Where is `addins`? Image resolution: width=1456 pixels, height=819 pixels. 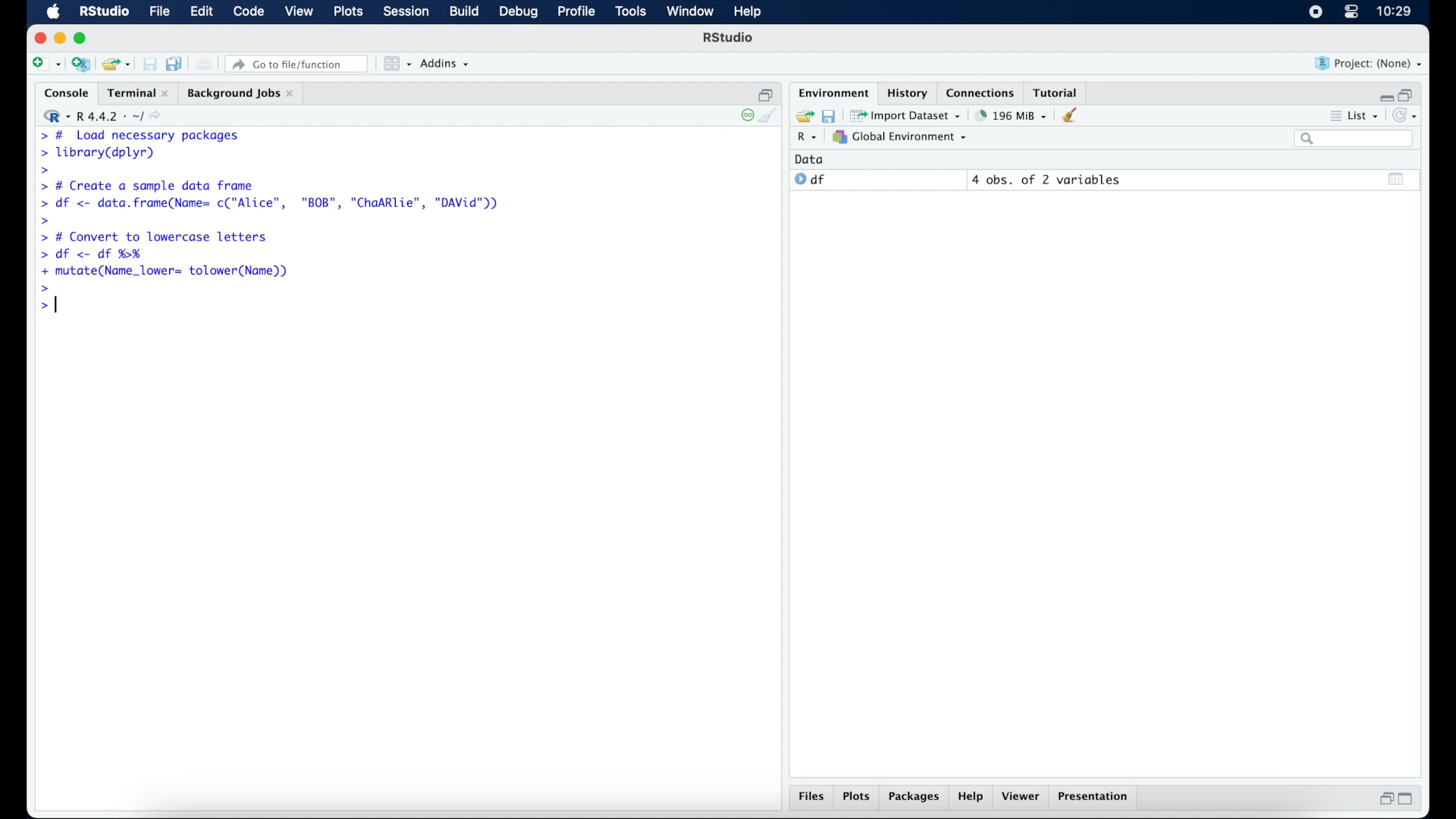
addins is located at coordinates (445, 64).